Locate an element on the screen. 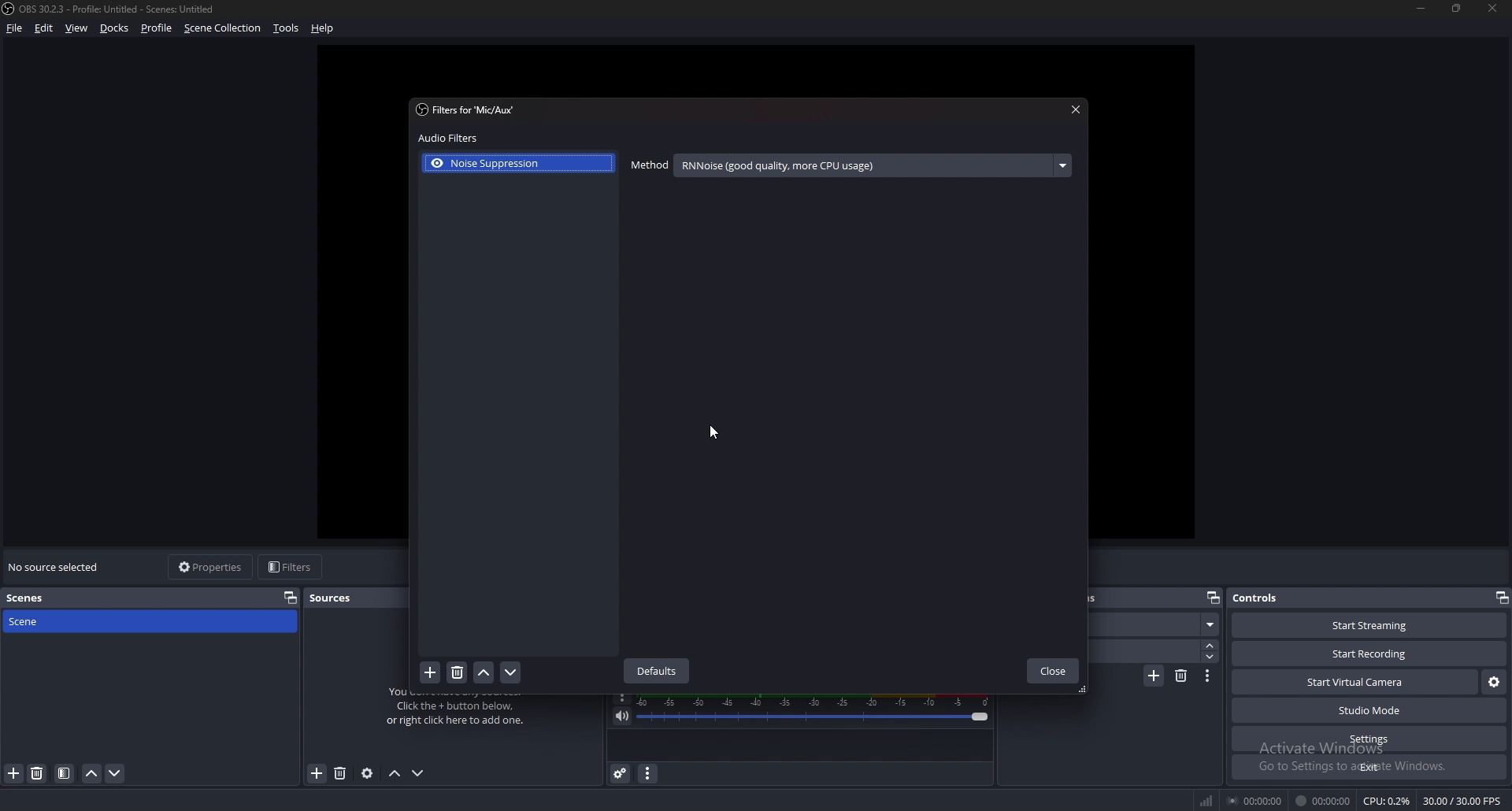 The height and width of the screenshot is (811, 1512). file is located at coordinates (14, 28).